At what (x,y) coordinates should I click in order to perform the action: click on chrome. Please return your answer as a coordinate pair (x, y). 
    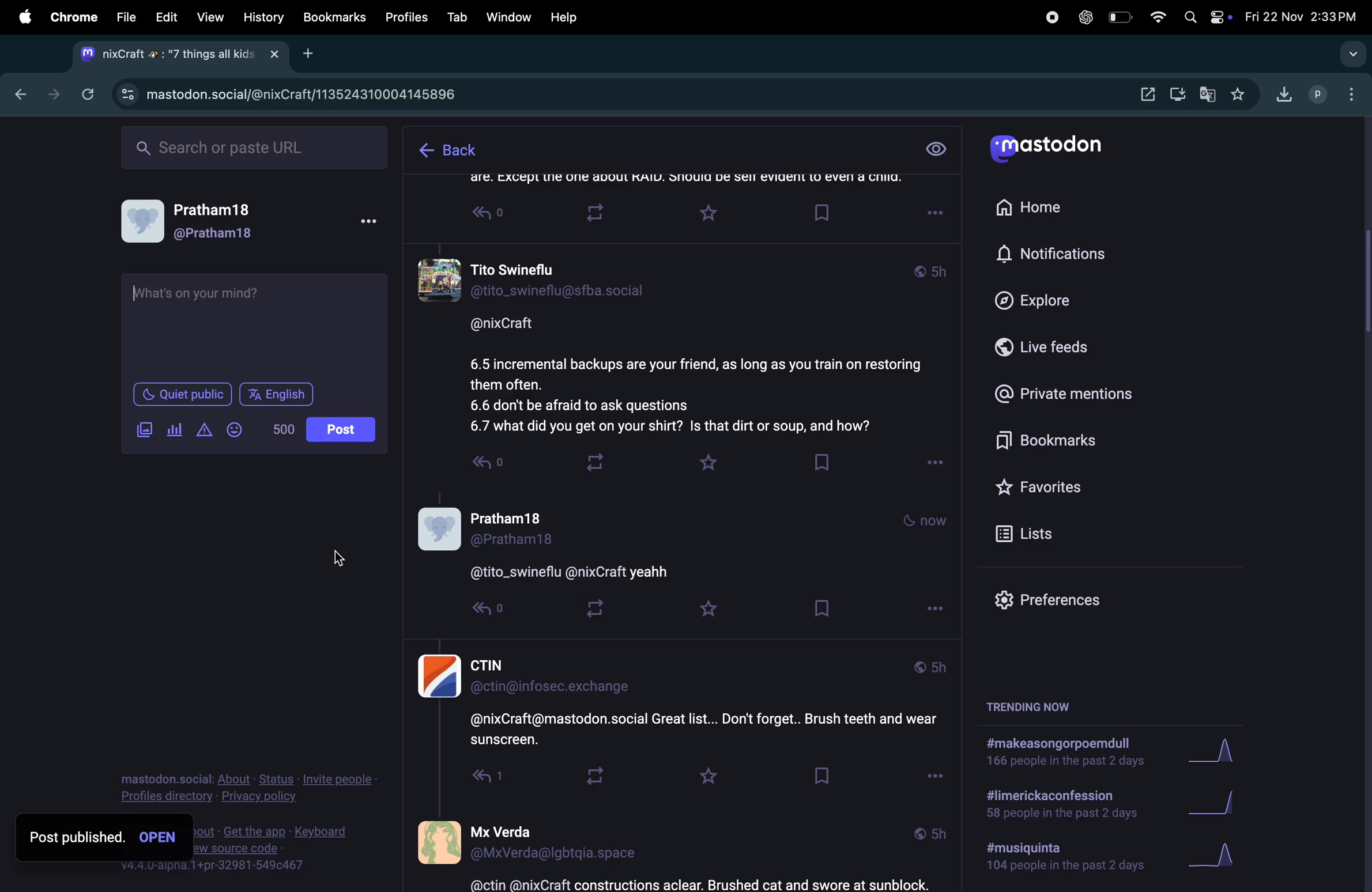
    Looking at the image, I should click on (72, 17).